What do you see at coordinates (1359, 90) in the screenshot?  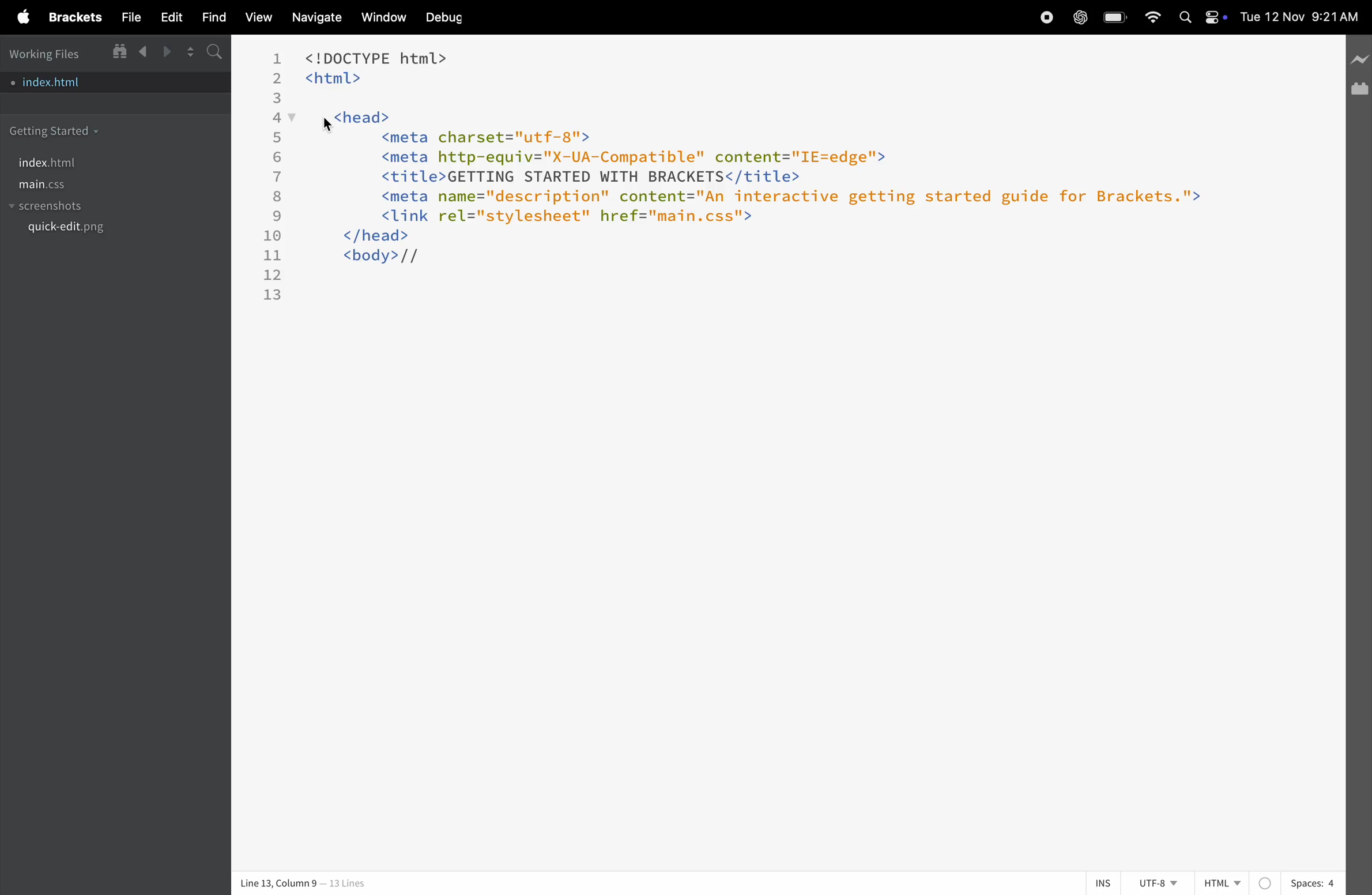 I see `extension manager` at bounding box center [1359, 90].